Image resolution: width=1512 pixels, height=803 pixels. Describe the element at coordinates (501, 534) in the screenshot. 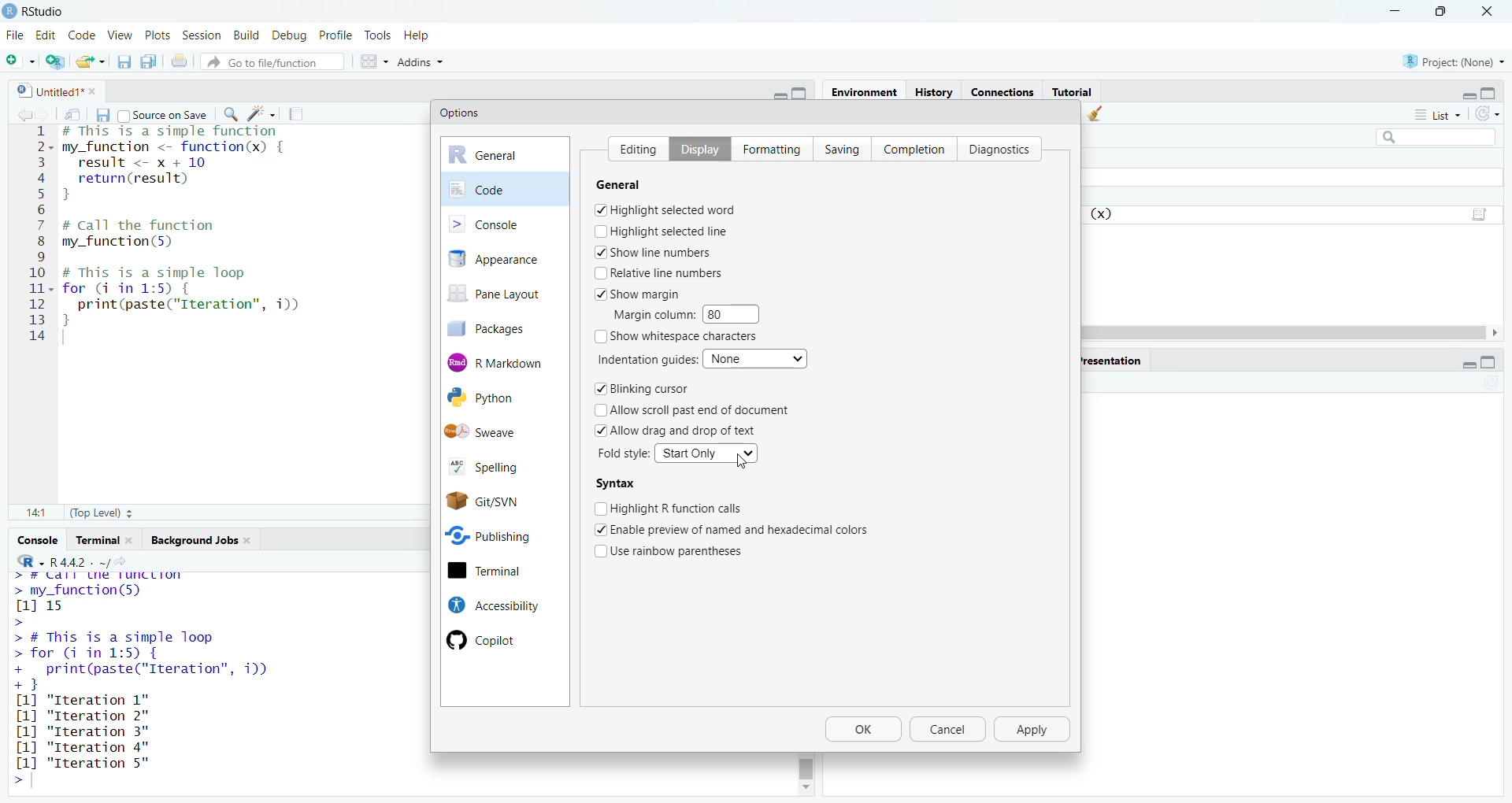

I see `Publishing` at that location.